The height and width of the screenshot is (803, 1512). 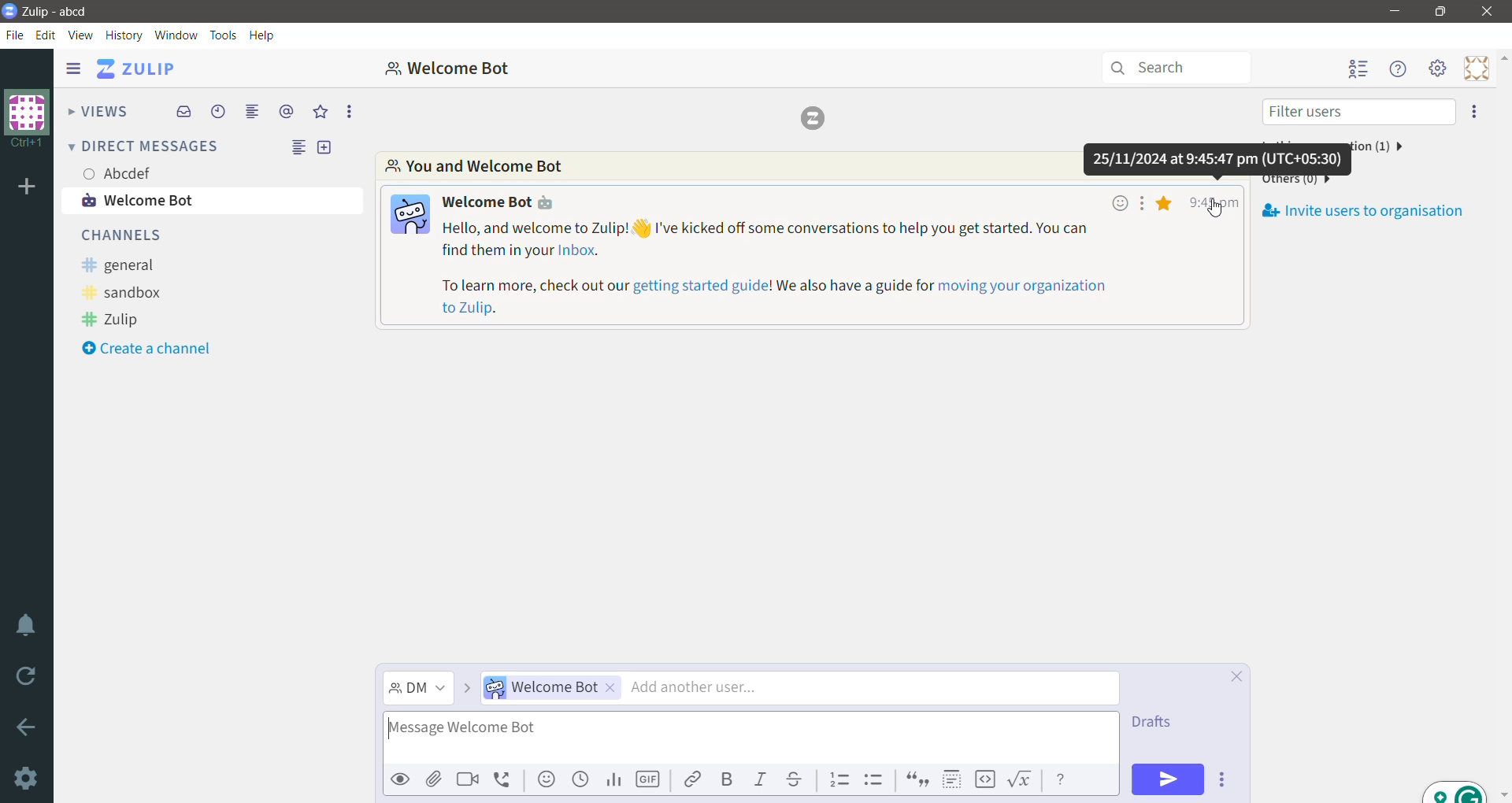 What do you see at coordinates (176, 35) in the screenshot?
I see `Window` at bounding box center [176, 35].